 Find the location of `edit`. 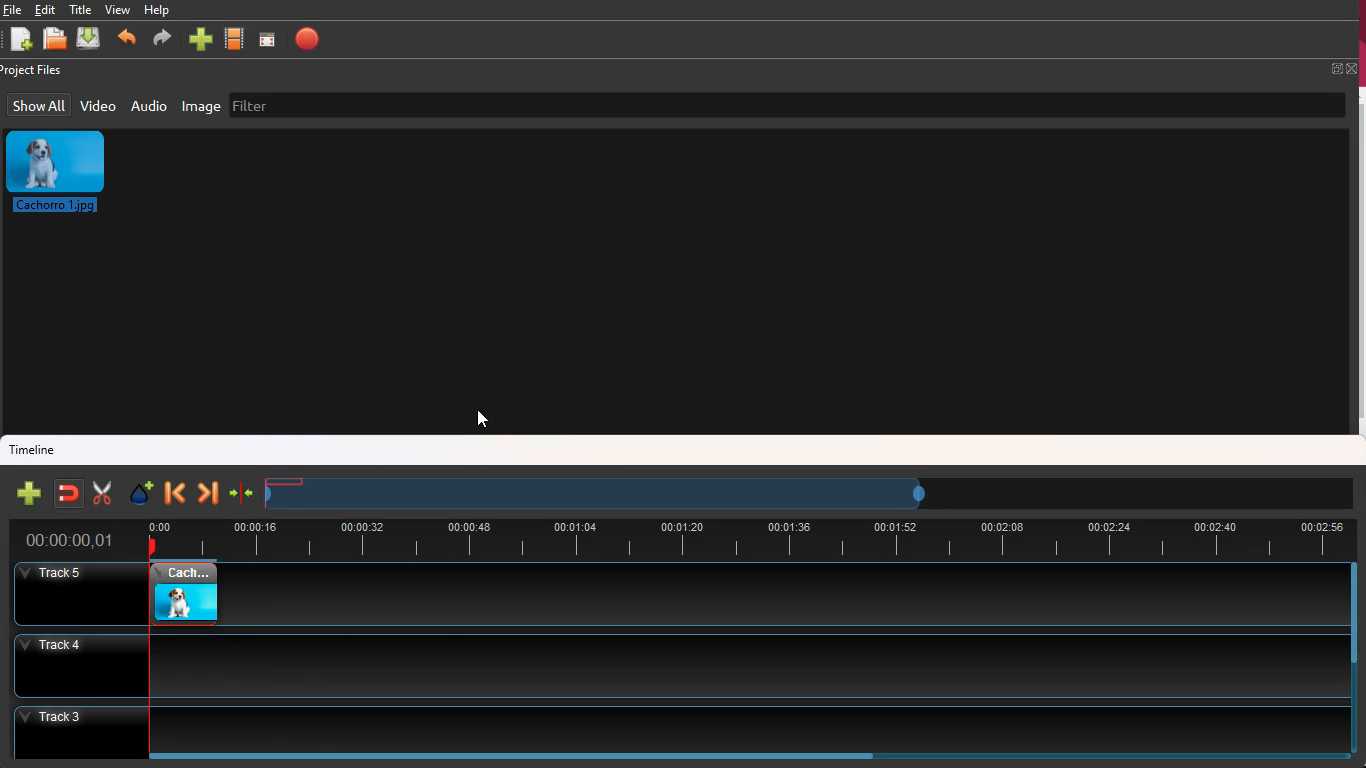

edit is located at coordinates (45, 10).